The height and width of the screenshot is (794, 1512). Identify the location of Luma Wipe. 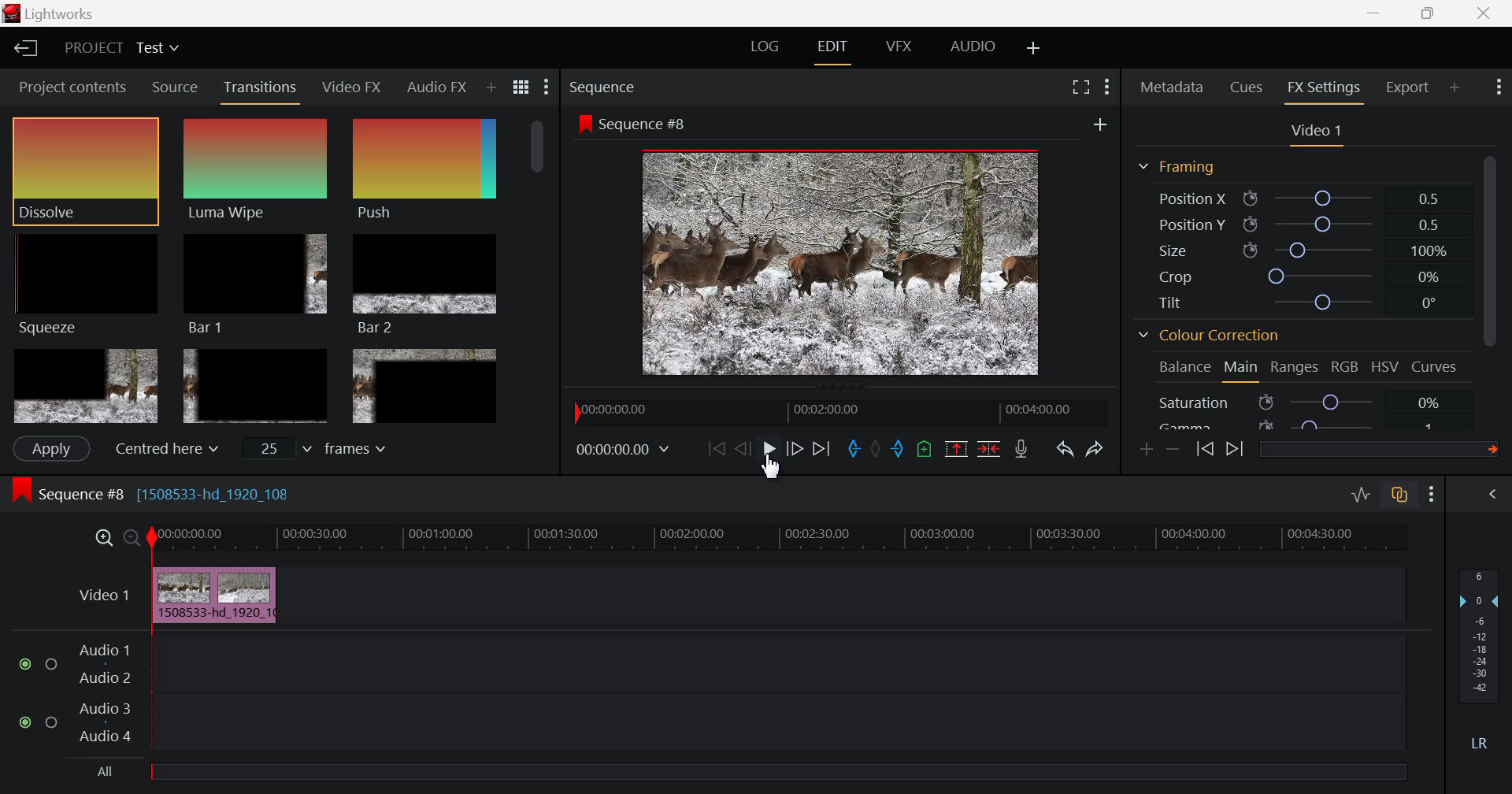
(258, 169).